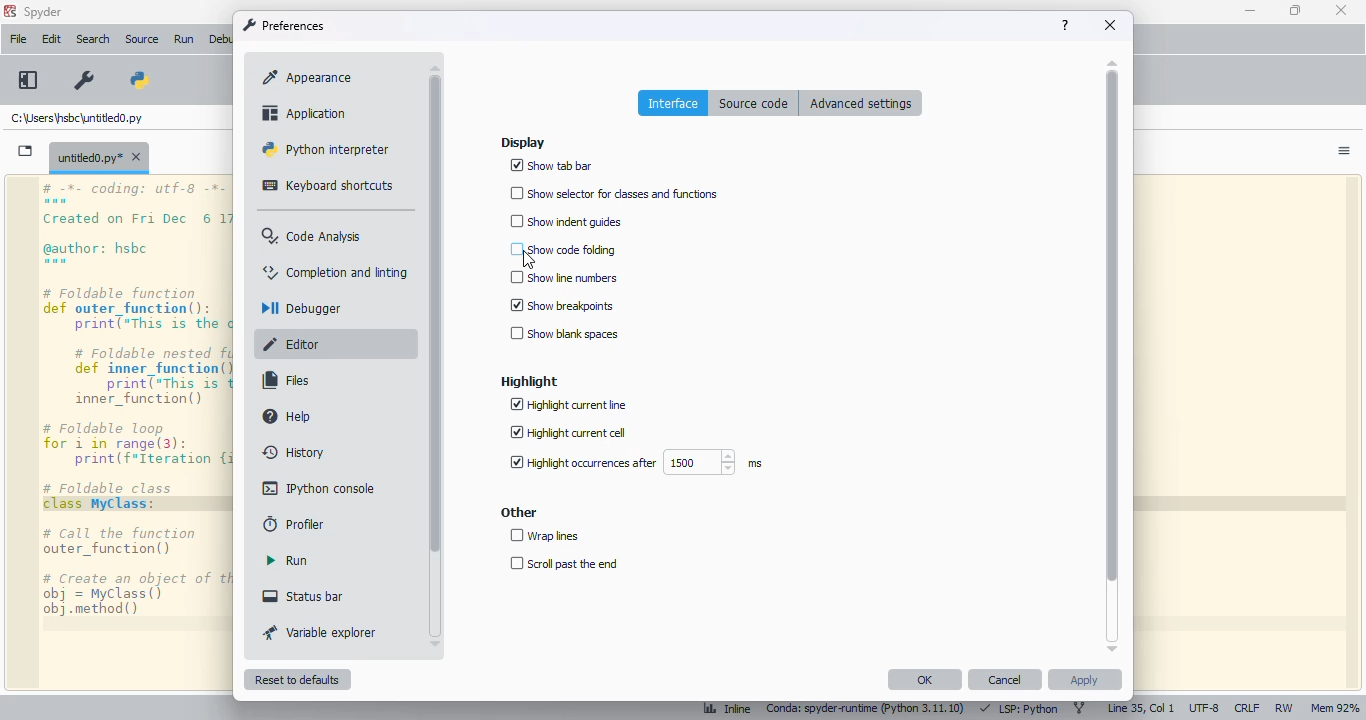 The height and width of the screenshot is (720, 1366). What do you see at coordinates (284, 25) in the screenshot?
I see `preferences` at bounding box center [284, 25].